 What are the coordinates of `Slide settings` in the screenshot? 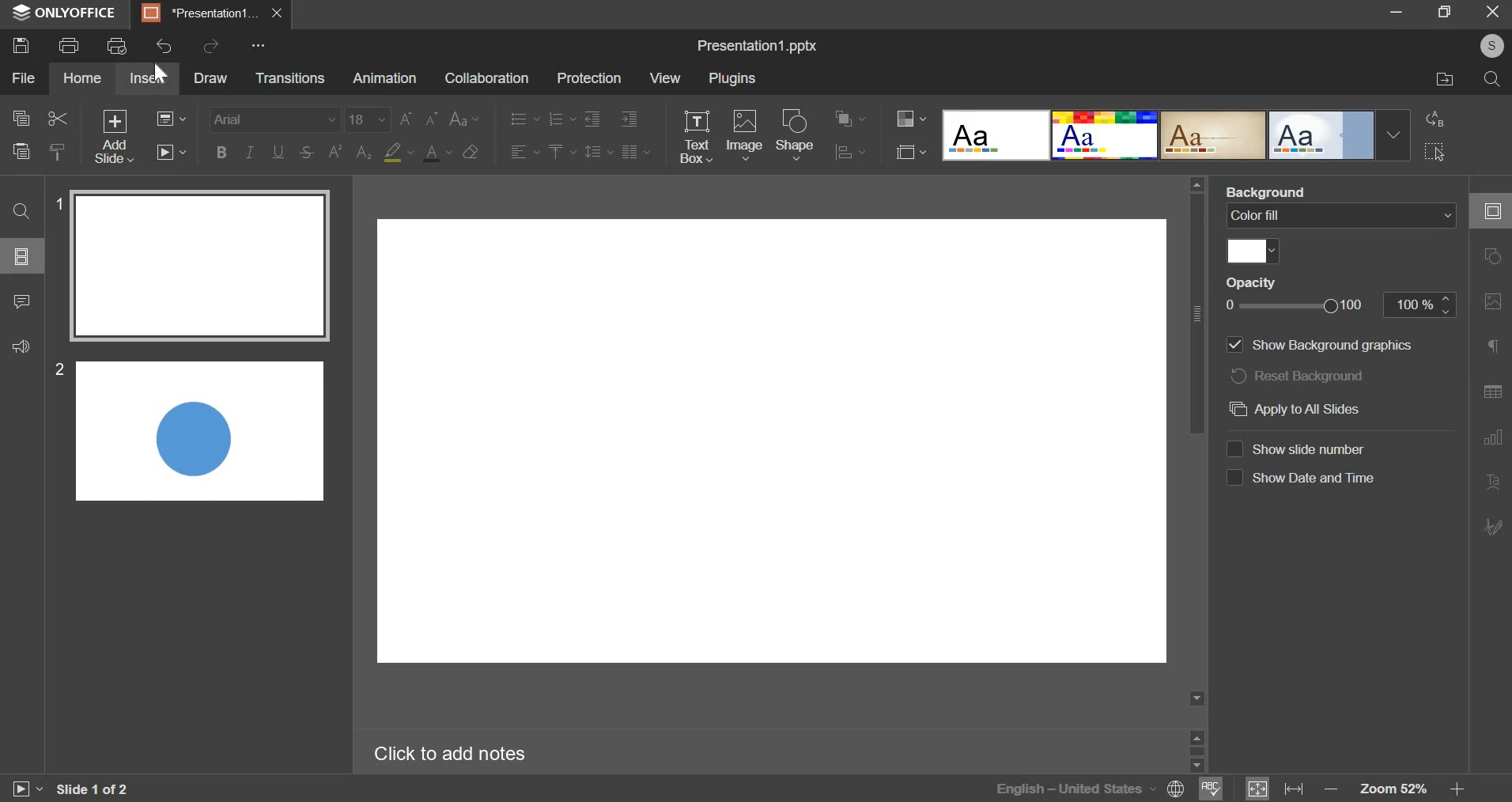 It's located at (1489, 210).